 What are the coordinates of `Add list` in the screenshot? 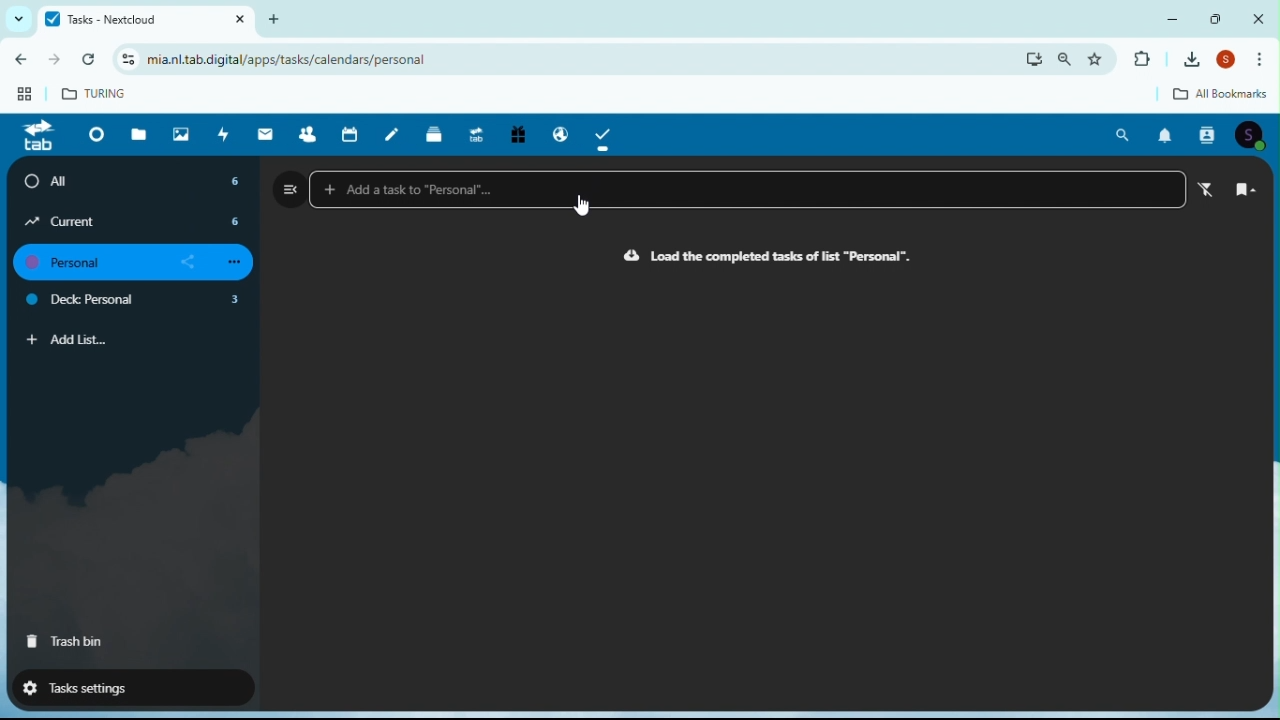 It's located at (68, 340).